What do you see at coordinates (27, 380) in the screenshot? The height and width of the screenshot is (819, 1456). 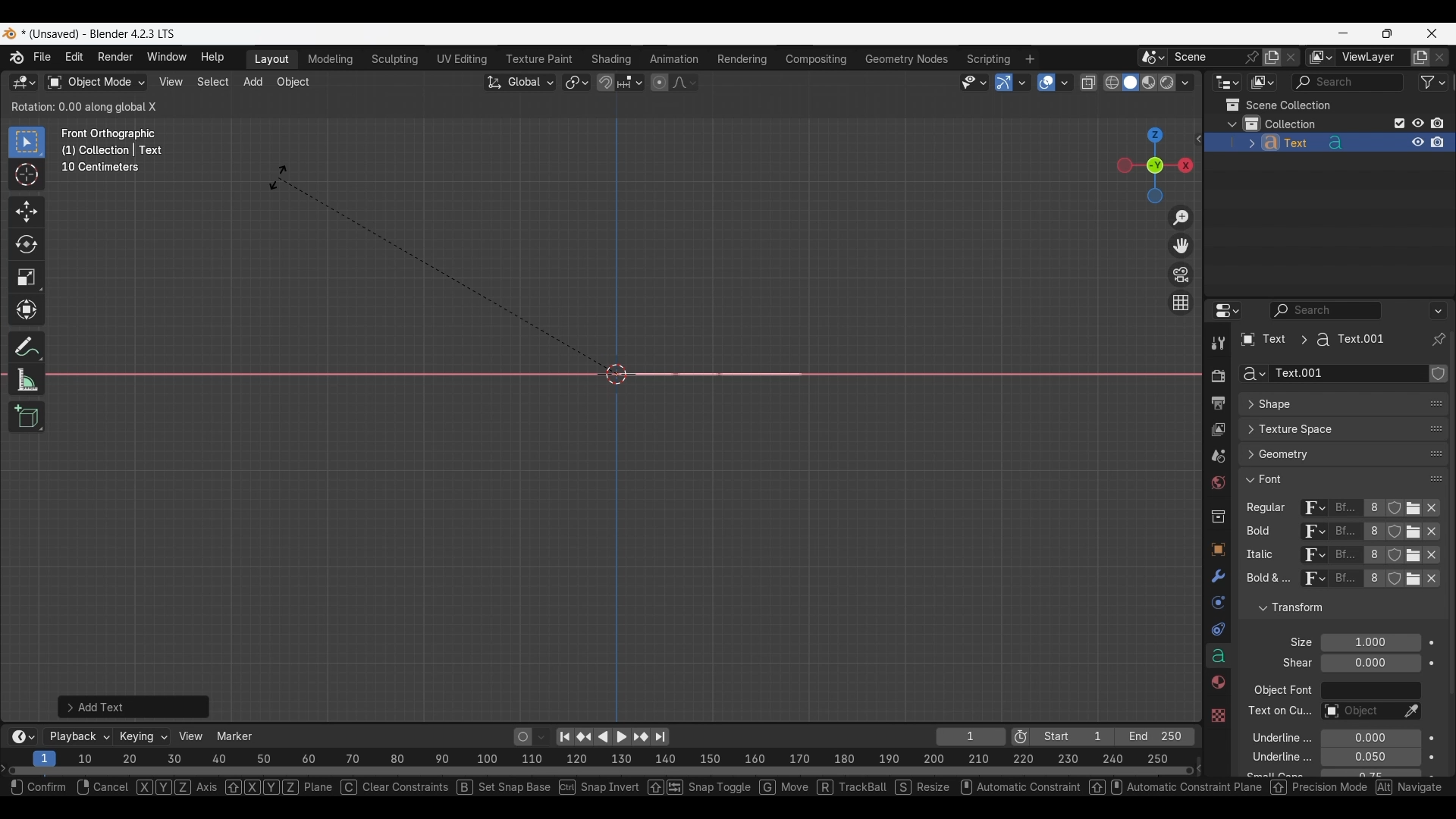 I see `Measure` at bounding box center [27, 380].